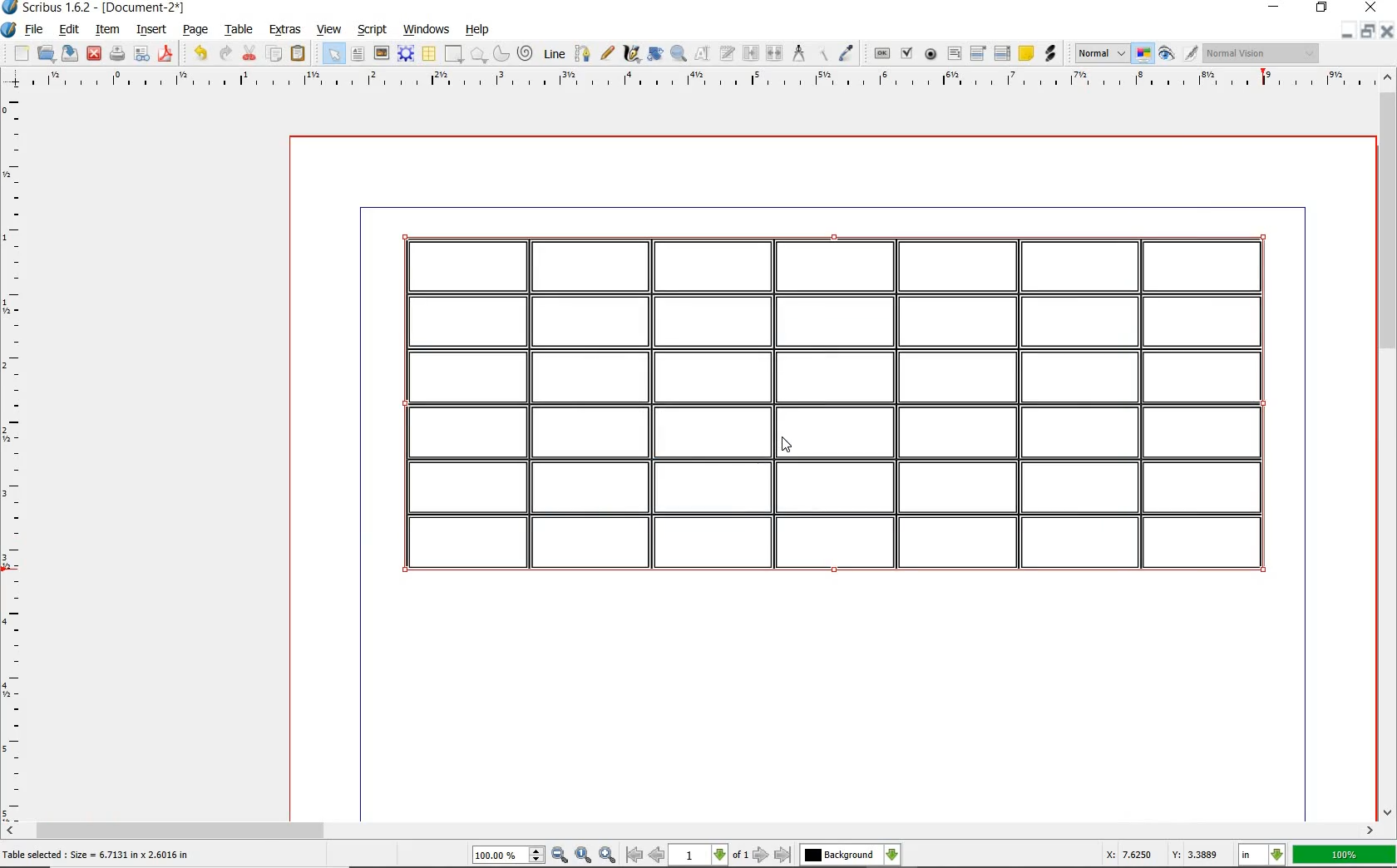  Describe the element at coordinates (1370, 8) in the screenshot. I see `close` at that location.